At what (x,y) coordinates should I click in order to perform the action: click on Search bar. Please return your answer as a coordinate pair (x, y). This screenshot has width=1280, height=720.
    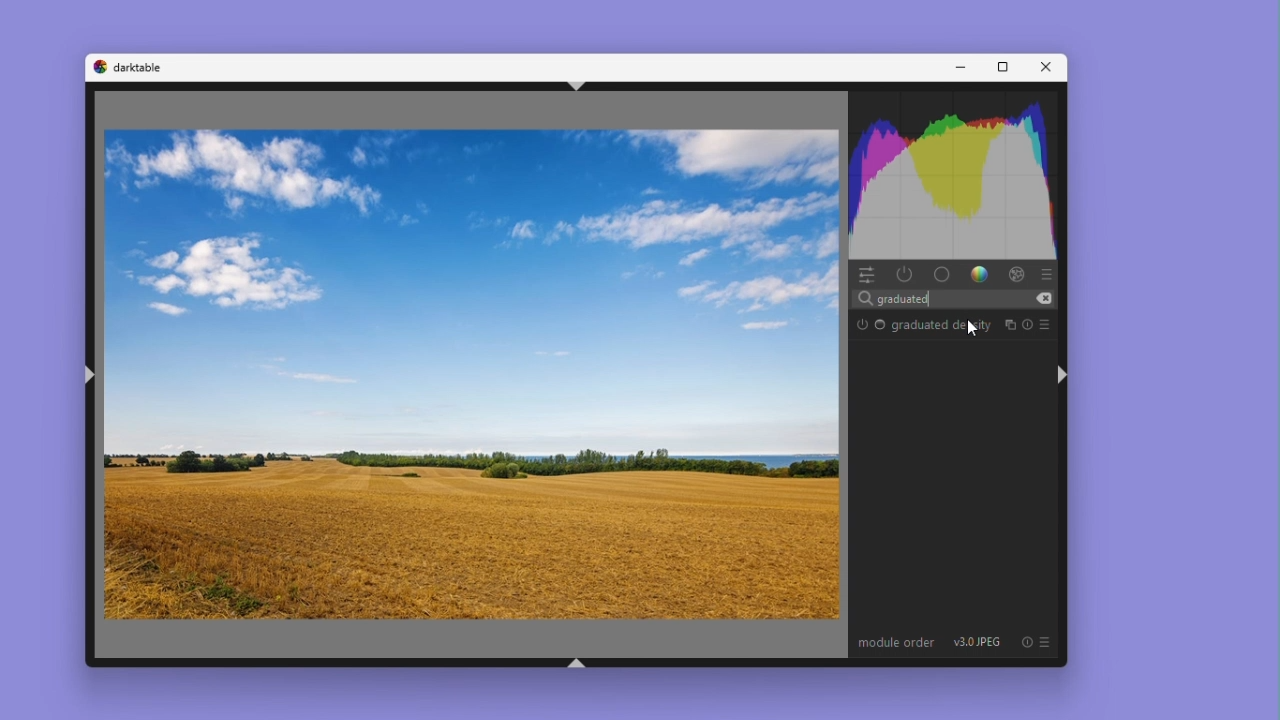
    Looking at the image, I should click on (958, 297).